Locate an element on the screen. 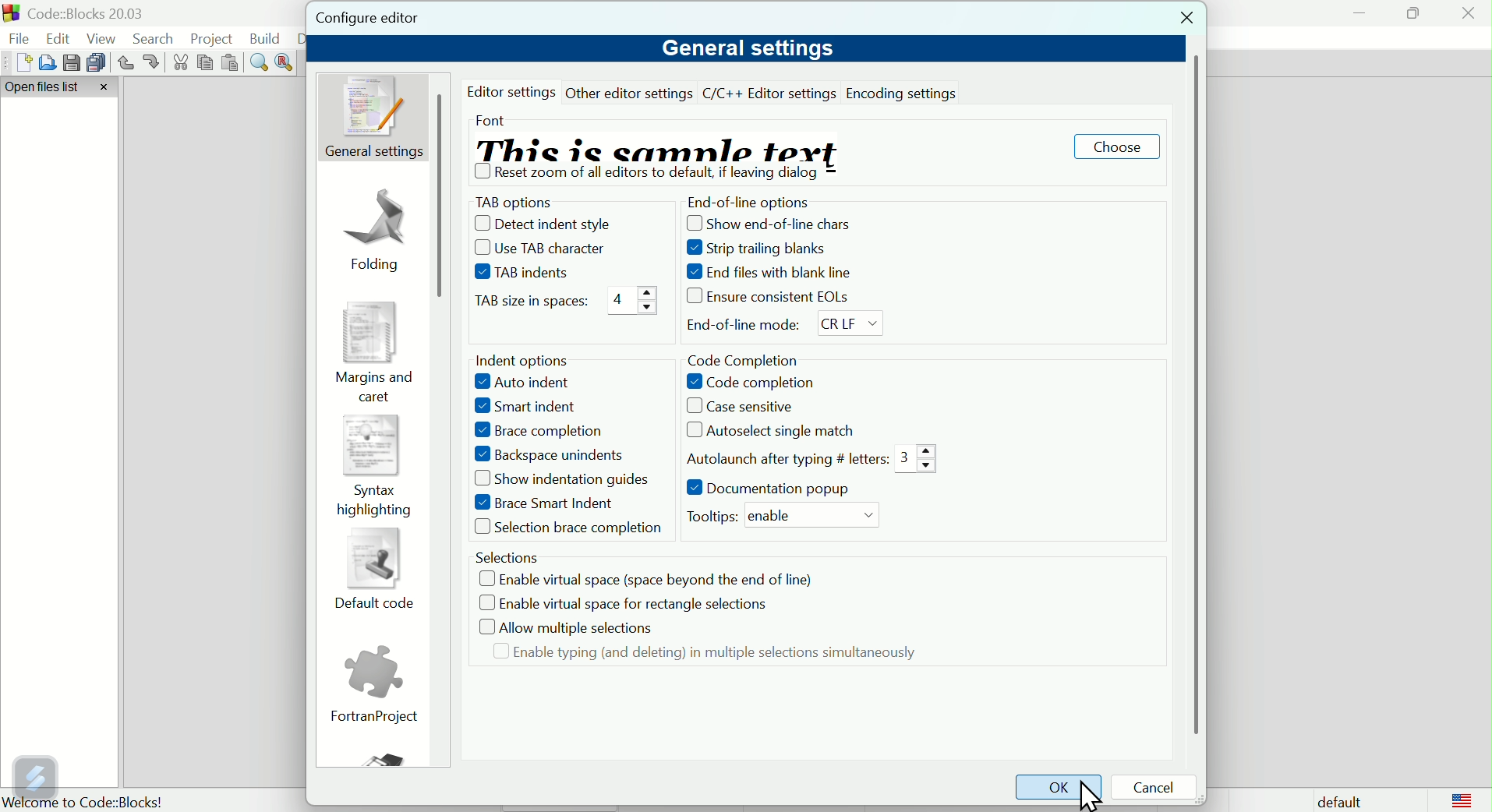 This screenshot has height=812, width=1492. Allow multiple selections is located at coordinates (567, 627).